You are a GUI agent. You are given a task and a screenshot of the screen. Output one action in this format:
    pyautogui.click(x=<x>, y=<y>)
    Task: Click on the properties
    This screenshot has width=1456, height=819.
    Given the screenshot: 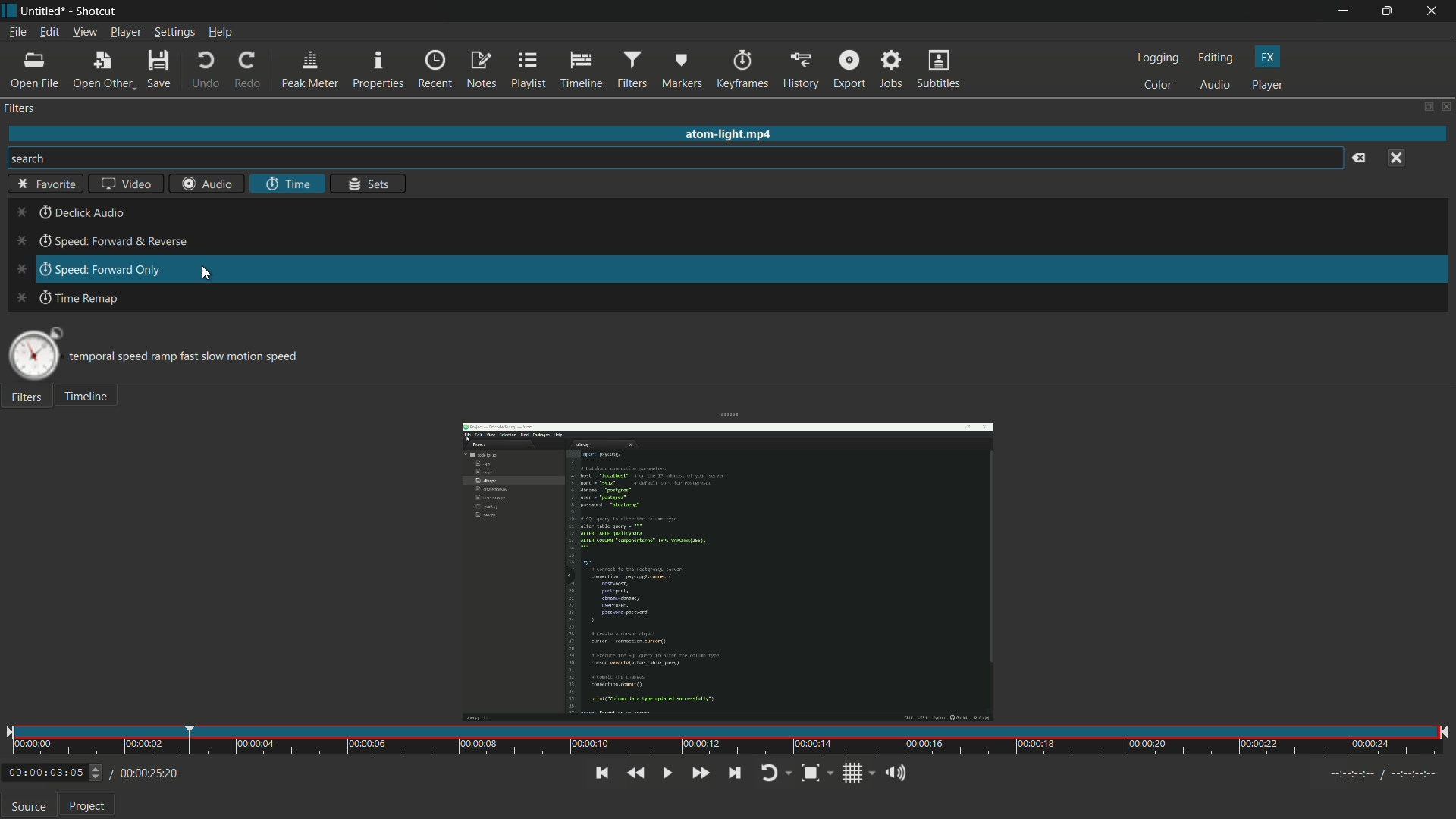 What is the action you would take?
    pyautogui.click(x=379, y=70)
    